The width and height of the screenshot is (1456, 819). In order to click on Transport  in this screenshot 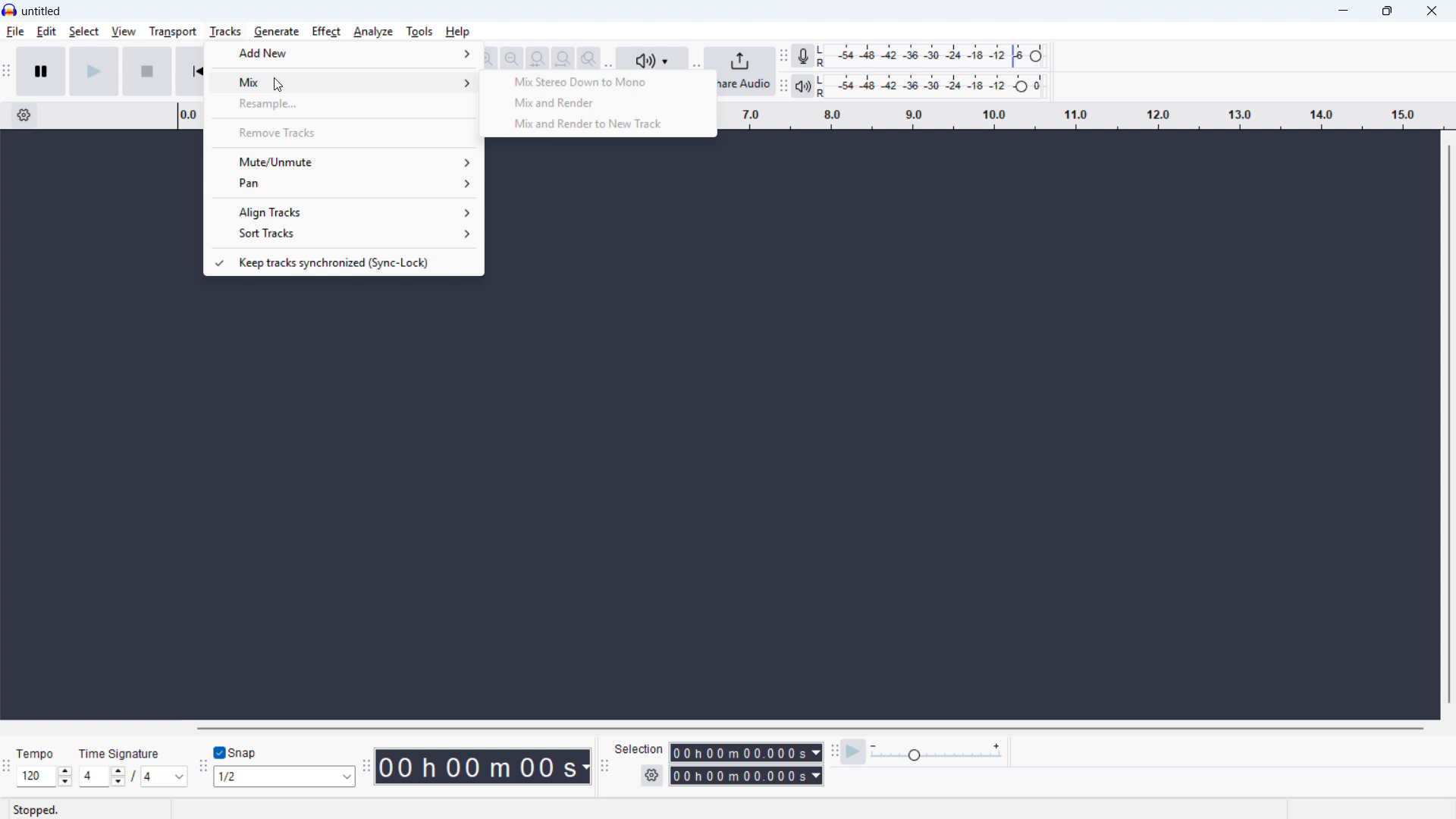, I will do `click(173, 31)`.